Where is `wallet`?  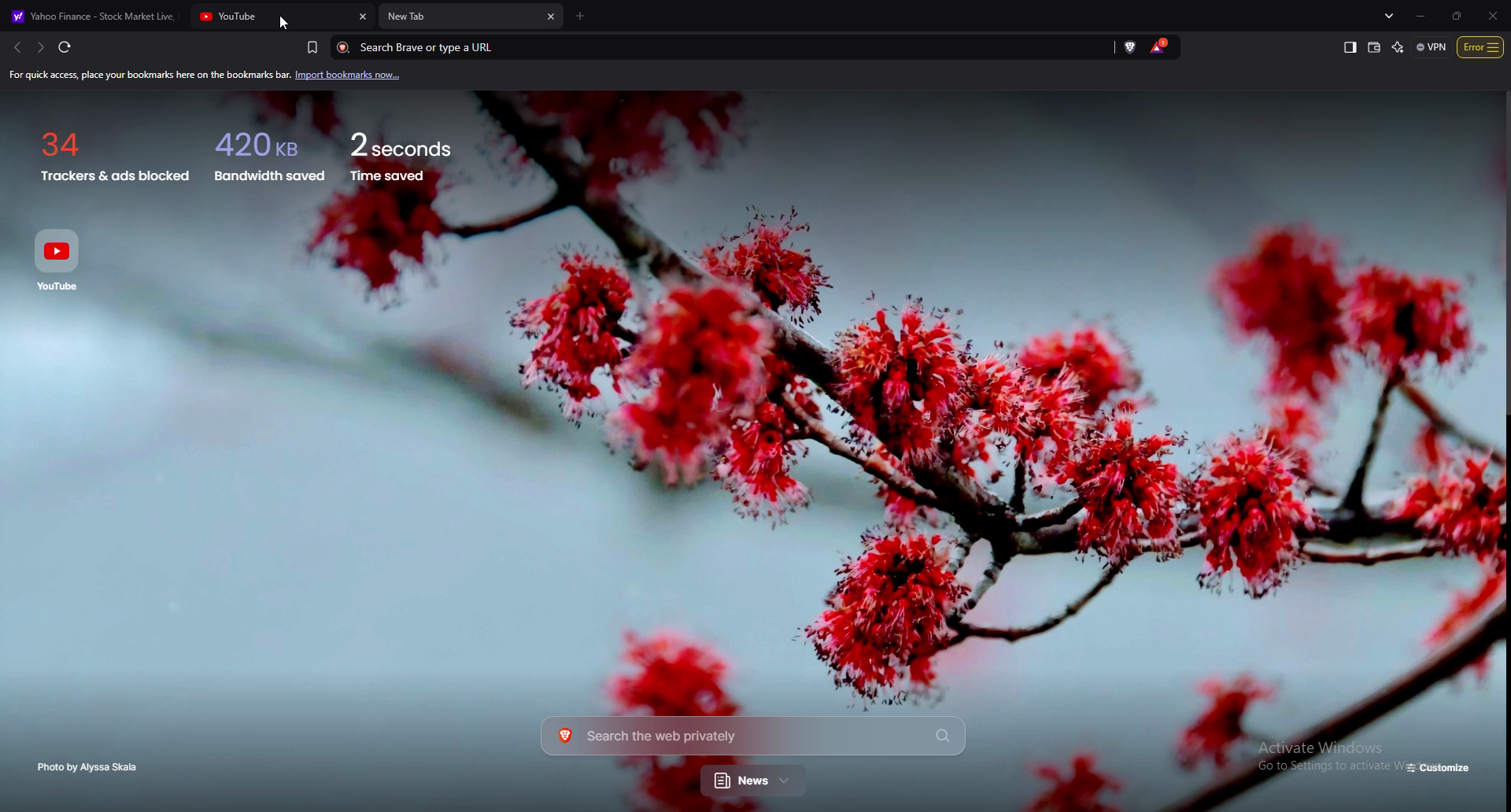
wallet is located at coordinates (1375, 47).